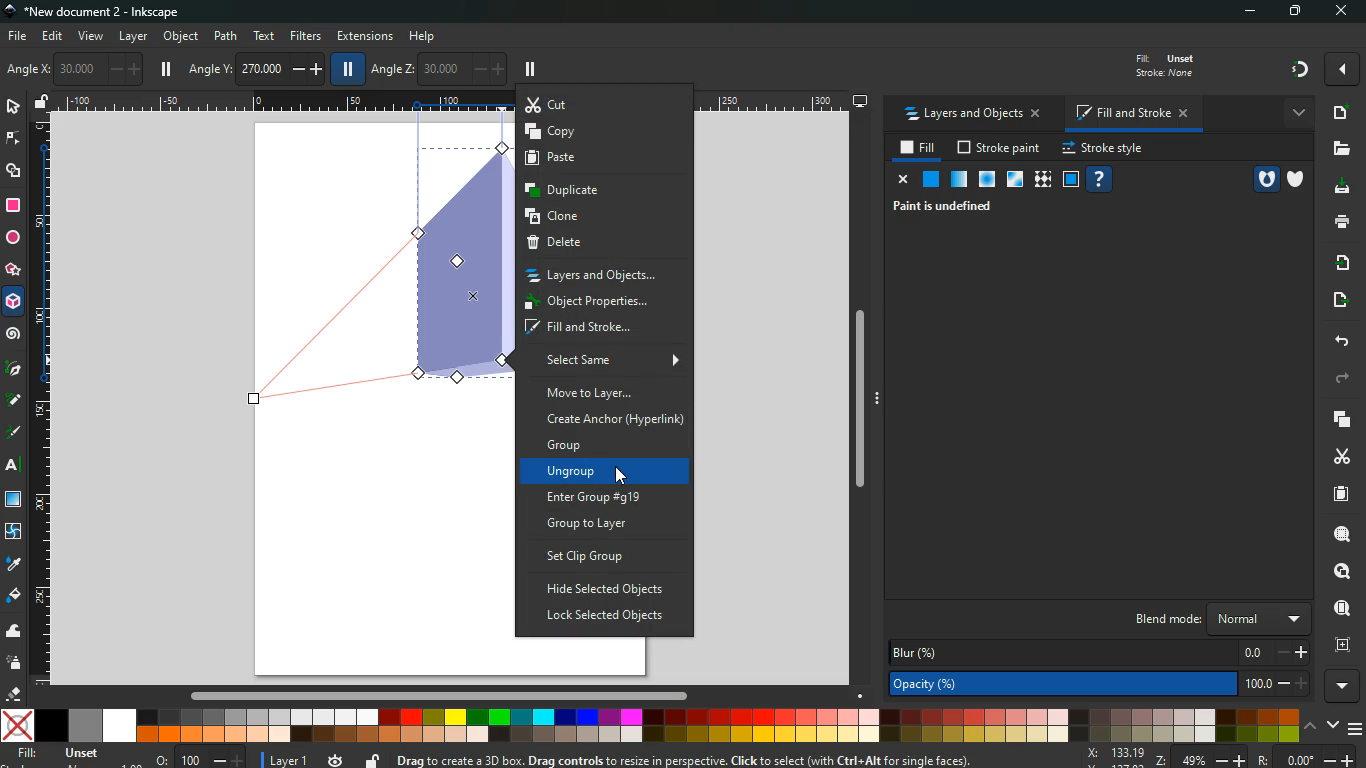  Describe the element at coordinates (1338, 187) in the screenshot. I see `download` at that location.